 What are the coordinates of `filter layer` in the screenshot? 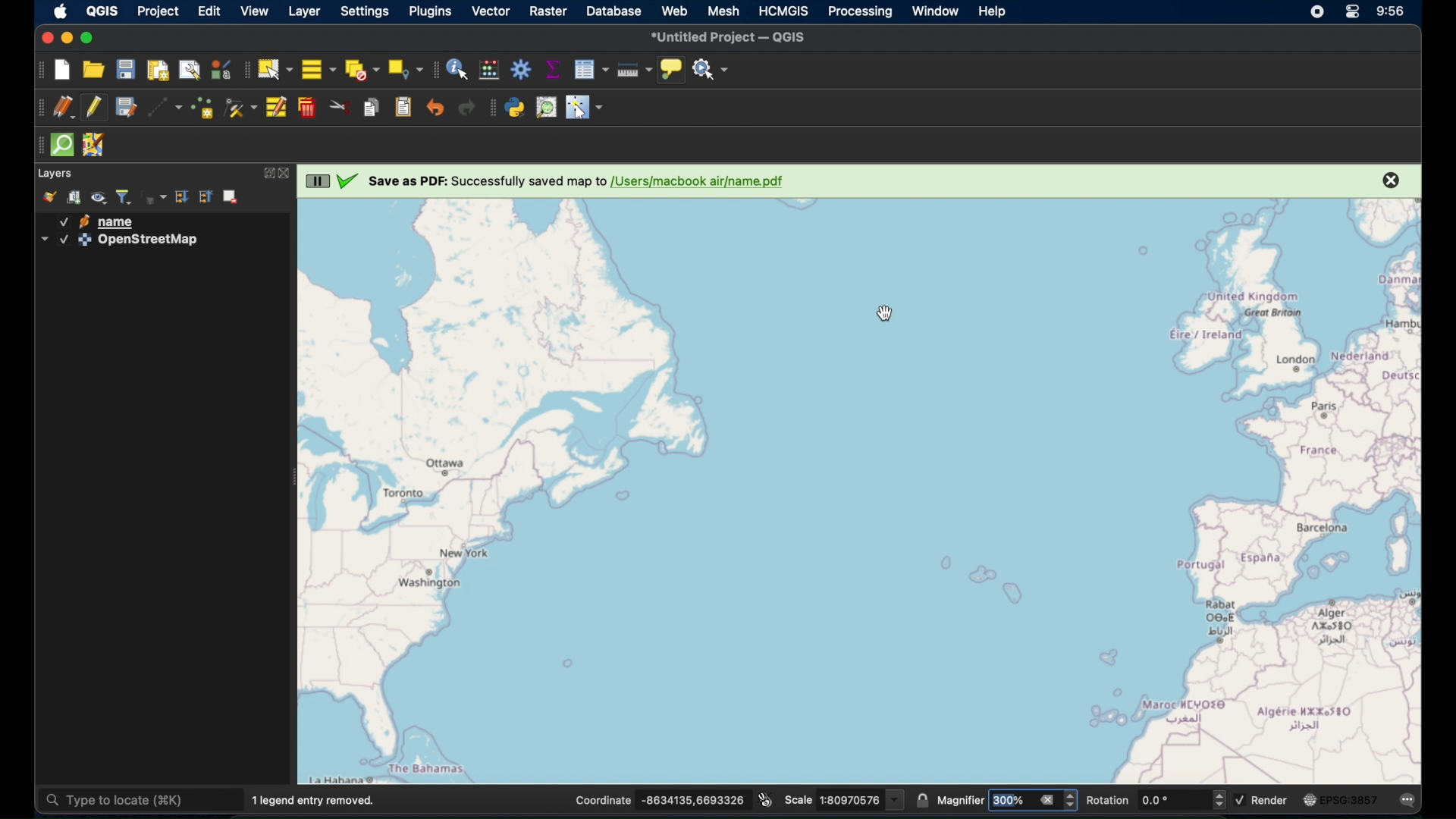 It's located at (124, 196).